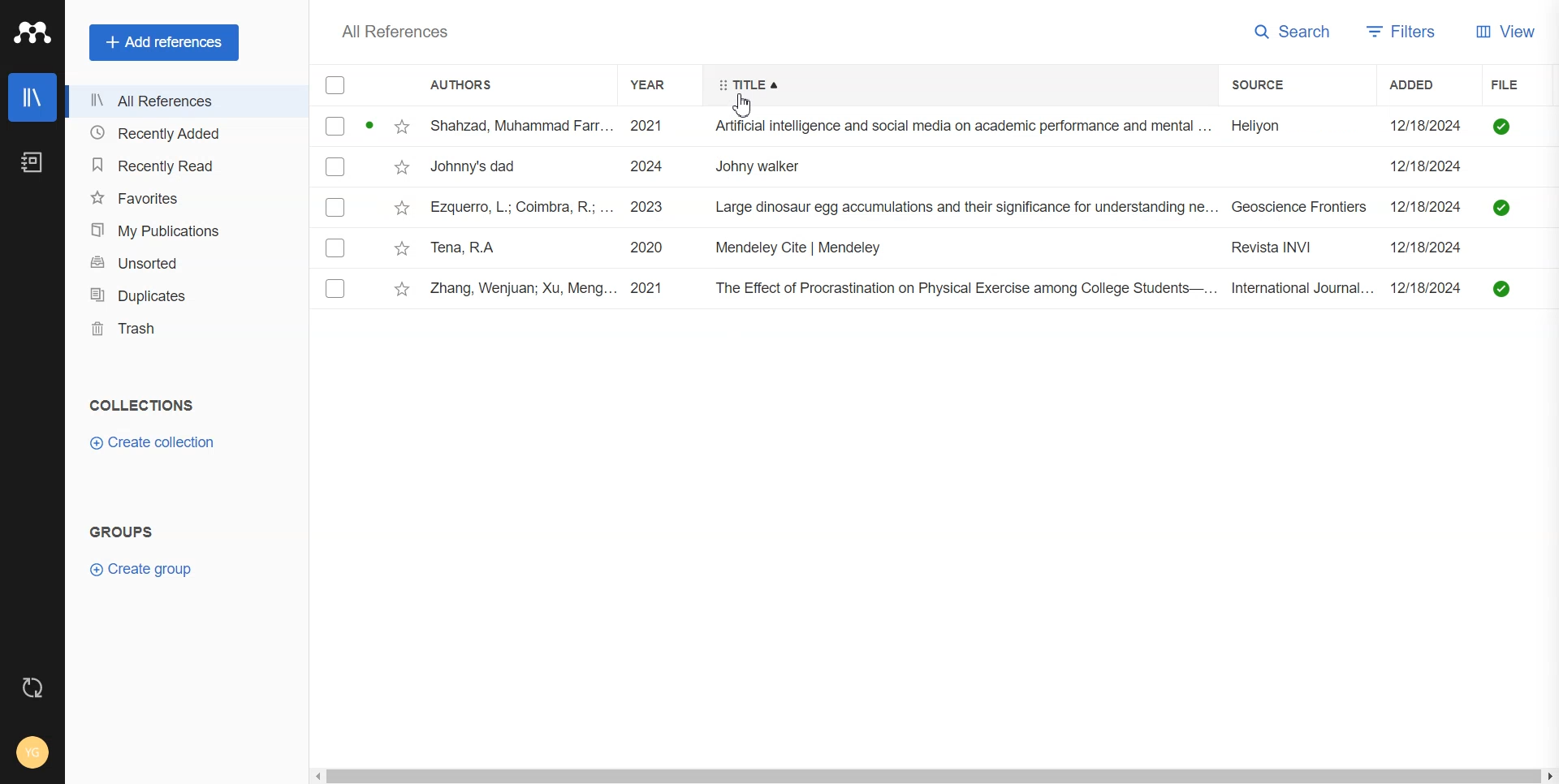 The image size is (1559, 784). Describe the element at coordinates (124, 531) in the screenshot. I see `Groups` at that location.